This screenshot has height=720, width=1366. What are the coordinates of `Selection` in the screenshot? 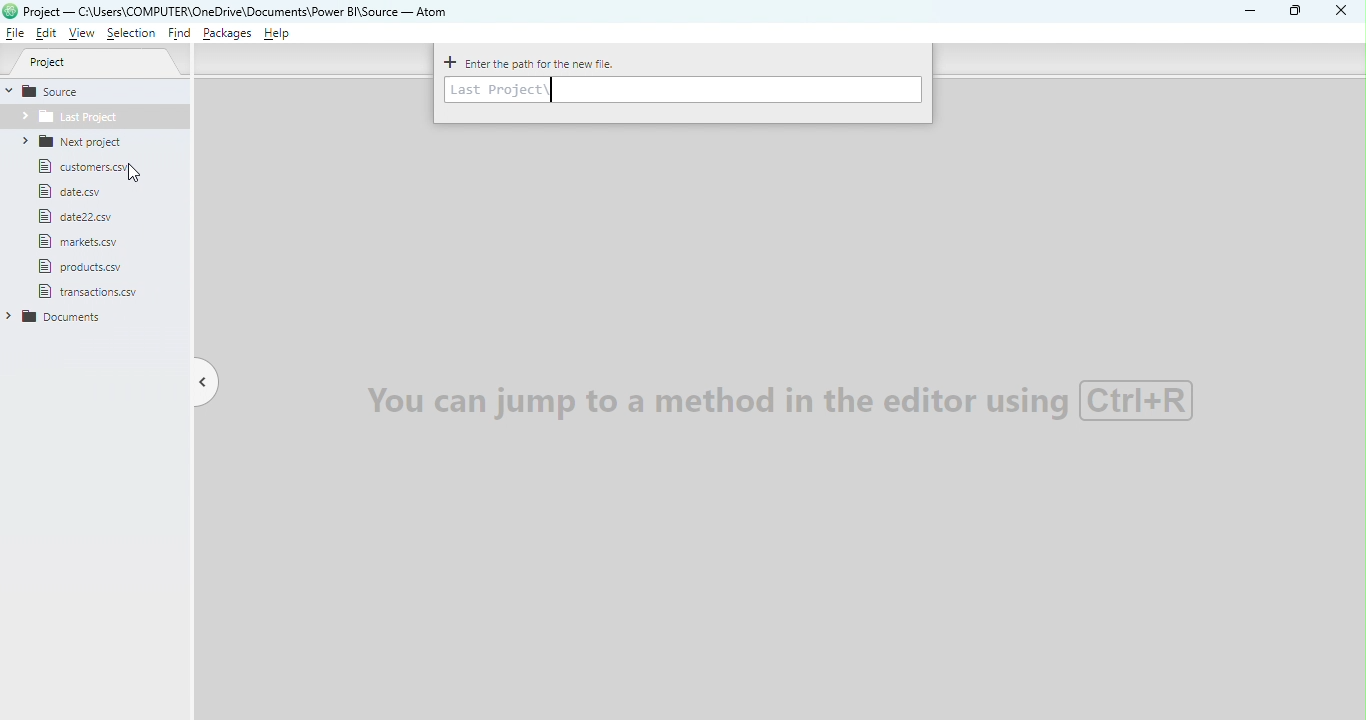 It's located at (131, 34).